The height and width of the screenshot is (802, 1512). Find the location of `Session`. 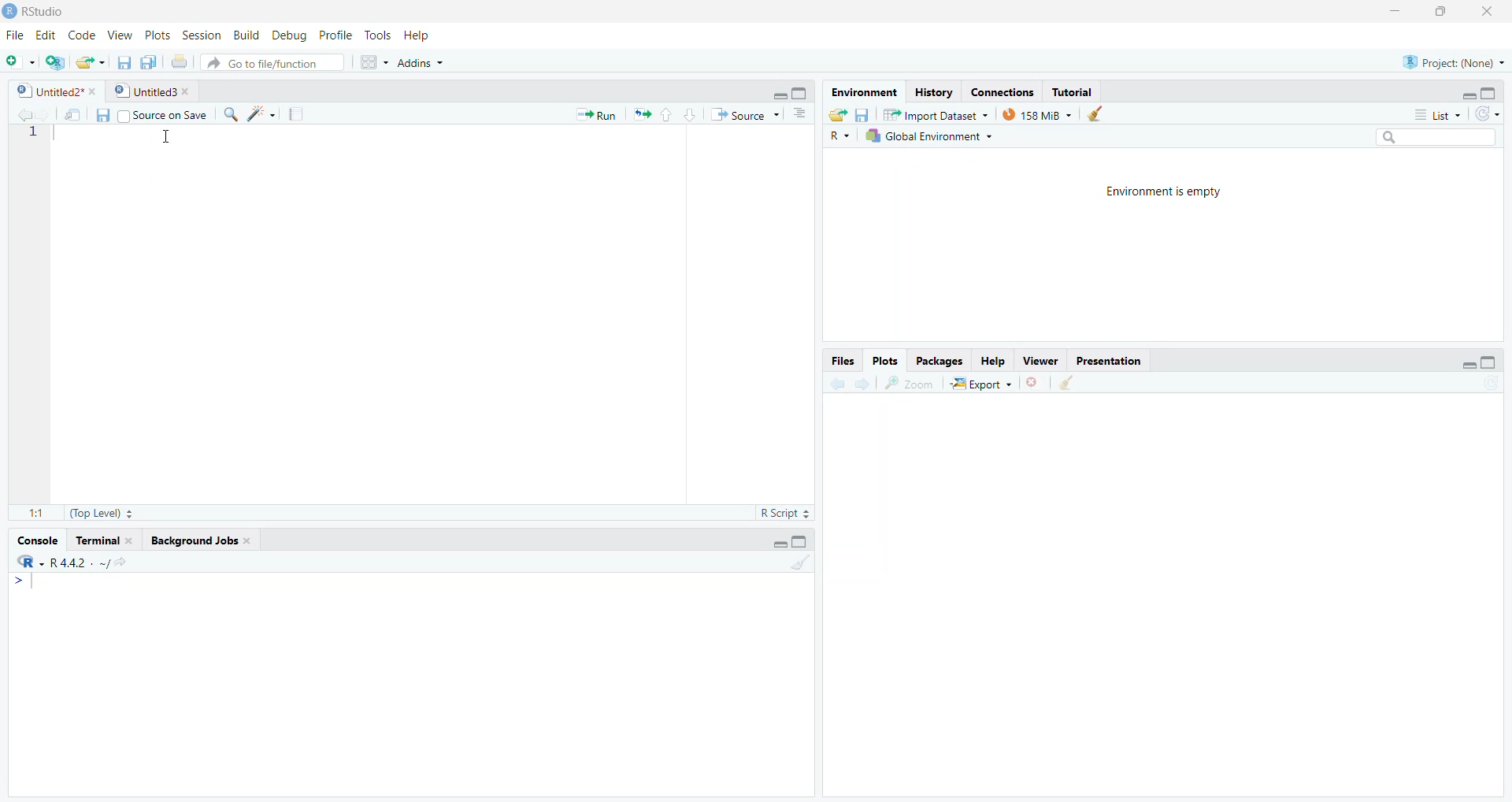

Session is located at coordinates (202, 33).